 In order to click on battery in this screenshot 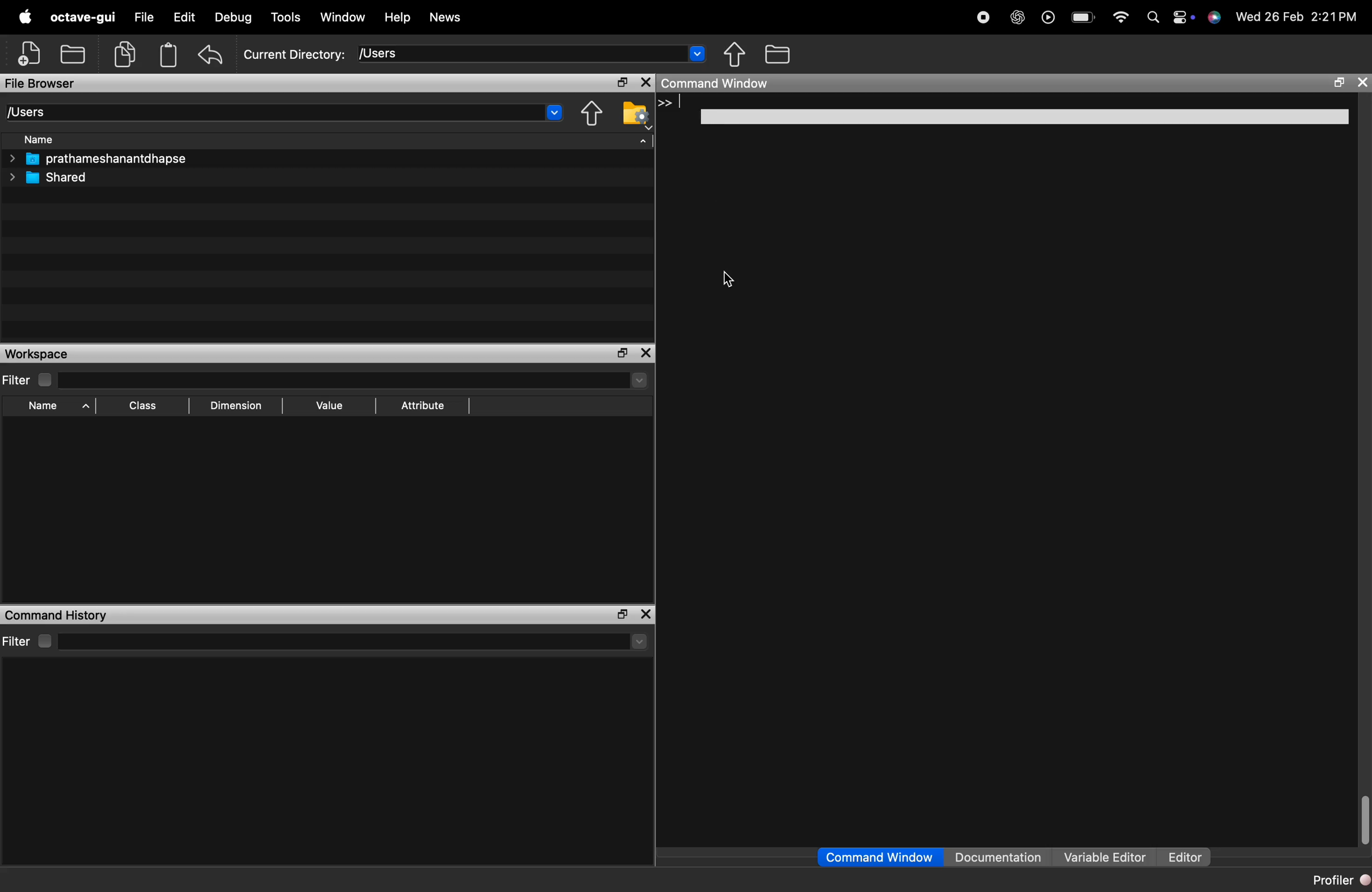, I will do `click(1087, 12)`.